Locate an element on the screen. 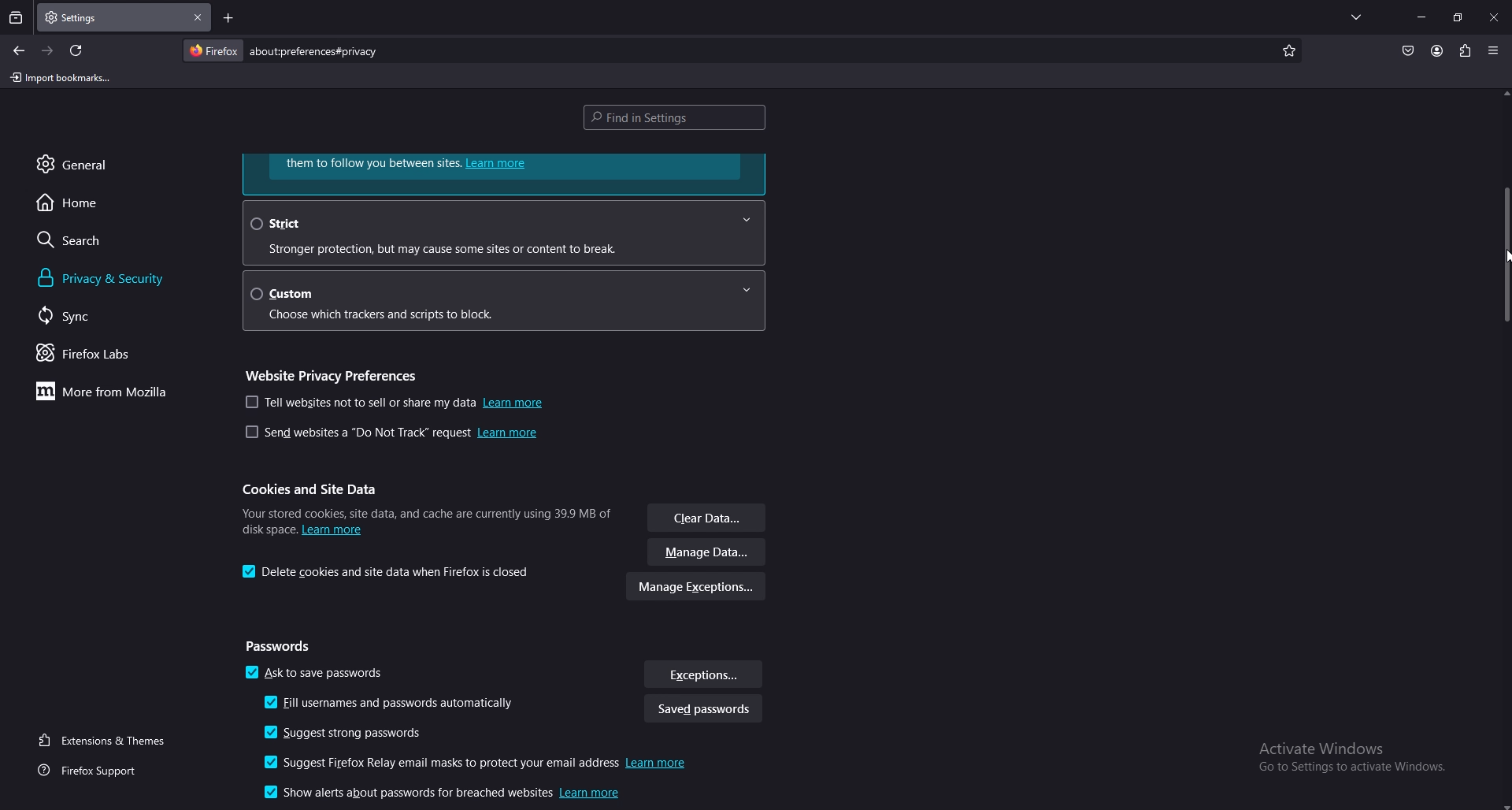  import bookmarks is located at coordinates (61, 79).